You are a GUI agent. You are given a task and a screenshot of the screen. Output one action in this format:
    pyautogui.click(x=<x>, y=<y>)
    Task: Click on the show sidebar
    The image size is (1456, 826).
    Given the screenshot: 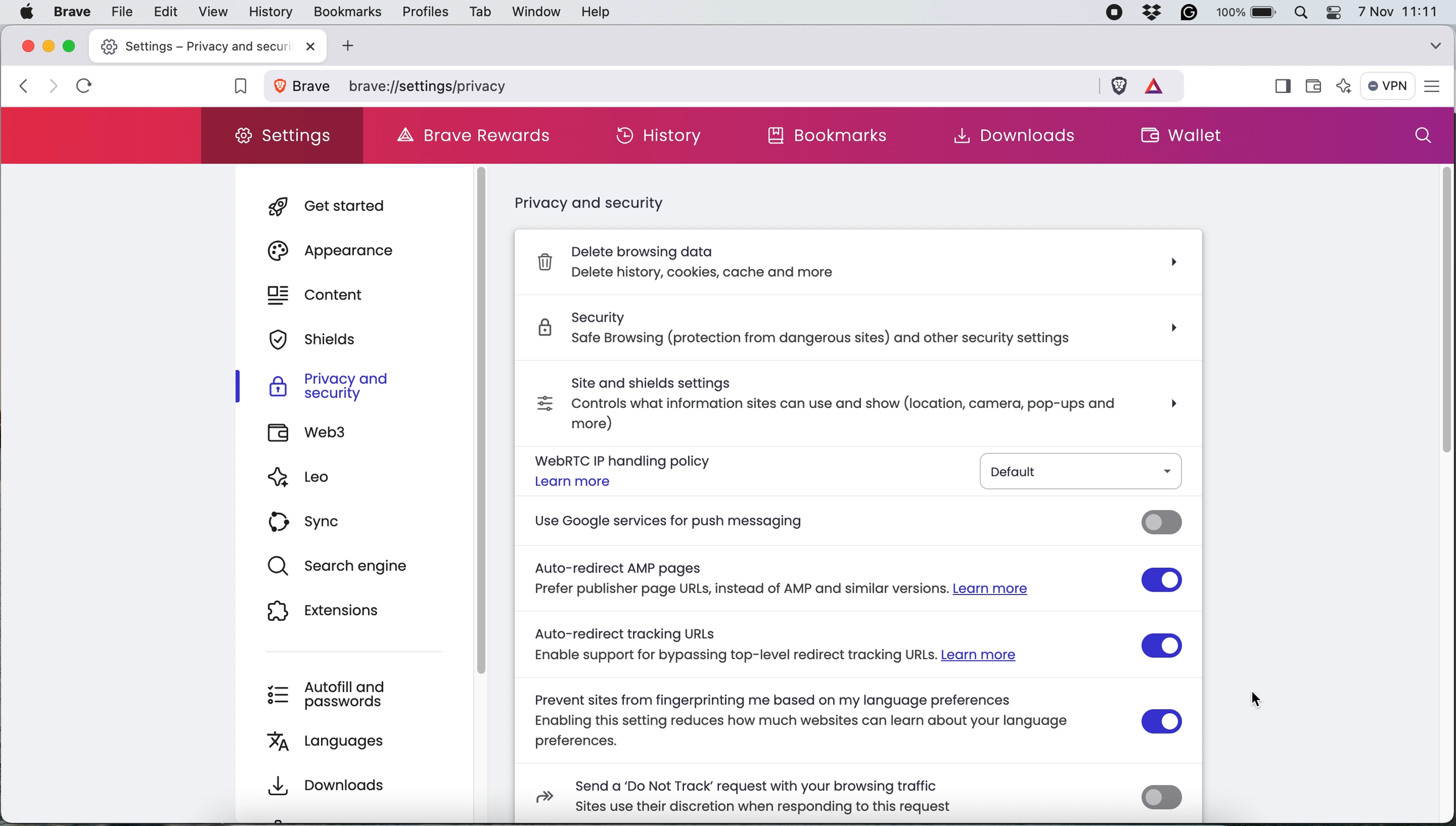 What is the action you would take?
    pyautogui.click(x=1282, y=87)
    